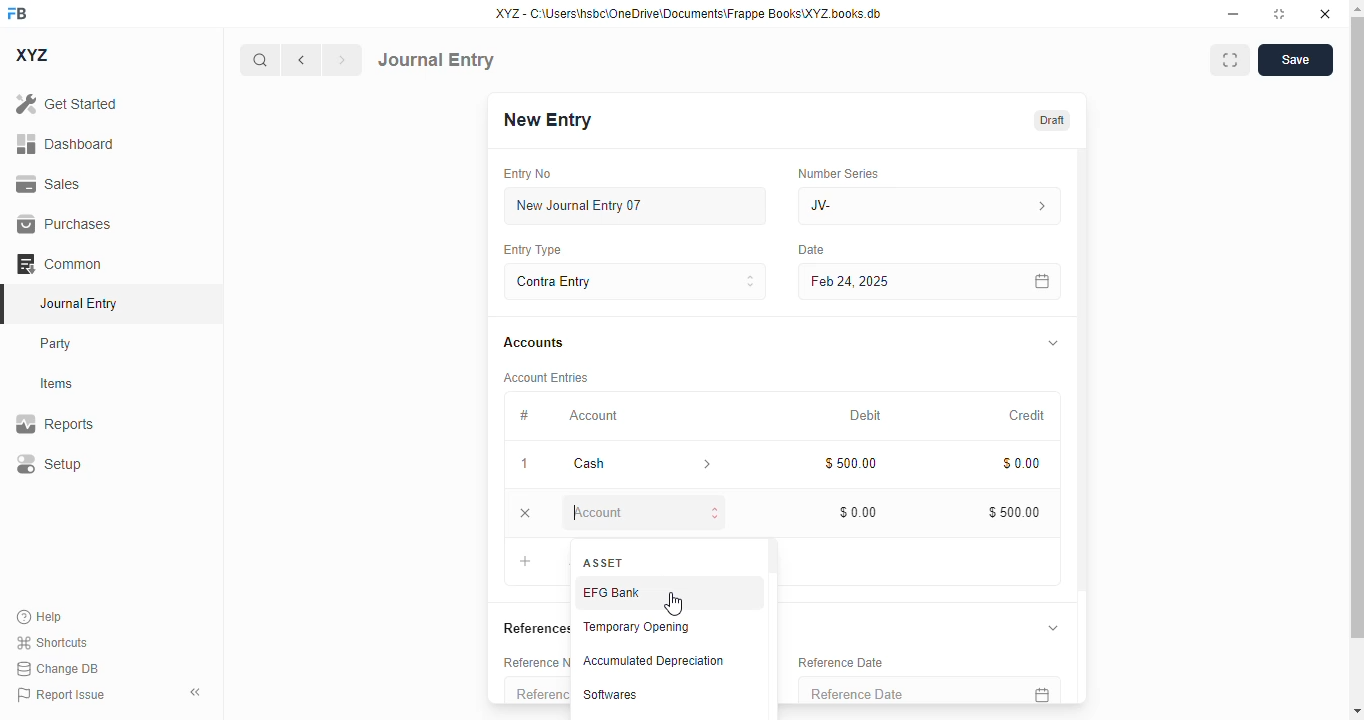 The width and height of the screenshot is (1364, 720). Describe the element at coordinates (343, 60) in the screenshot. I see `next` at that location.